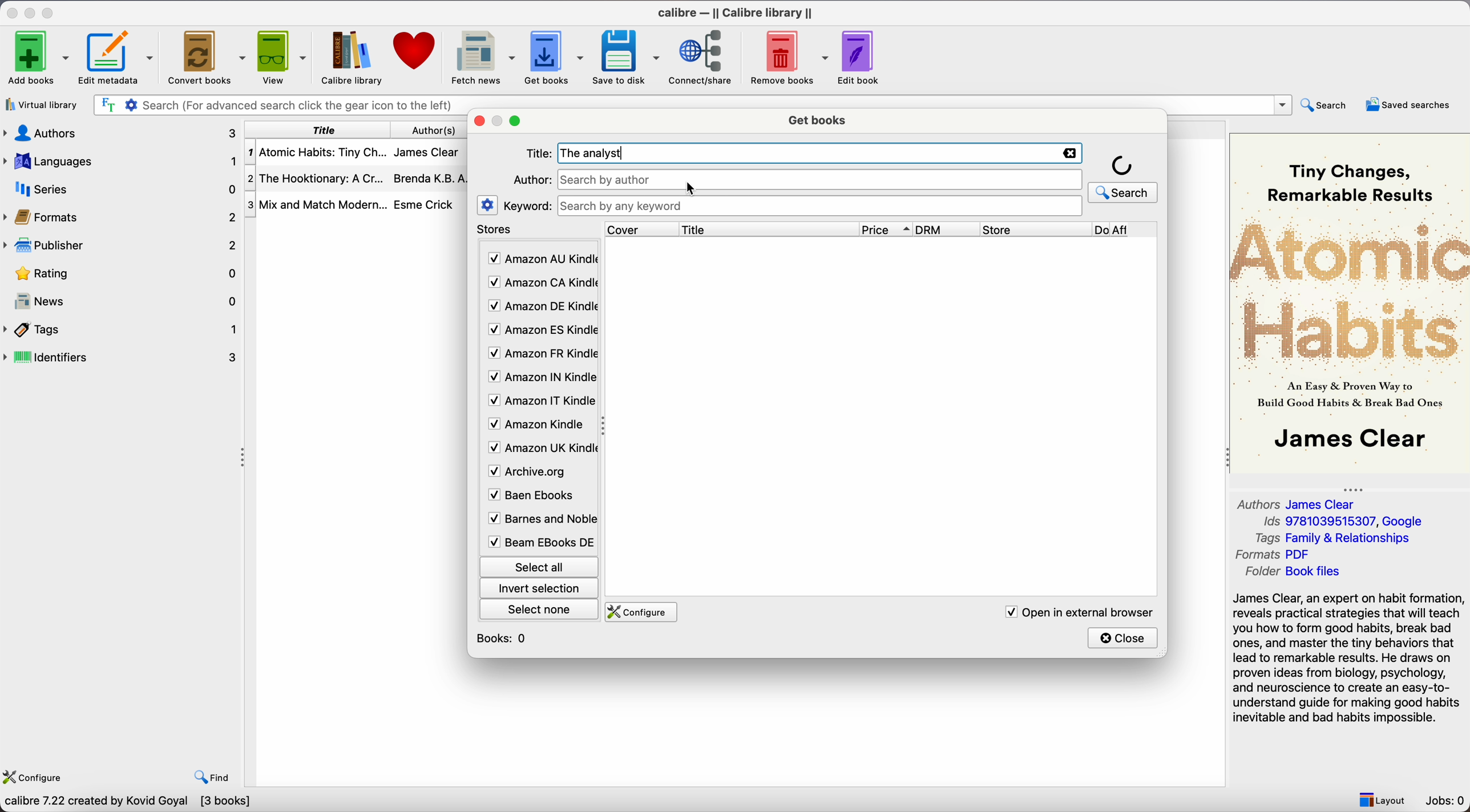 This screenshot has width=1470, height=812. I want to click on Tags Family & Relationships, so click(1332, 539).